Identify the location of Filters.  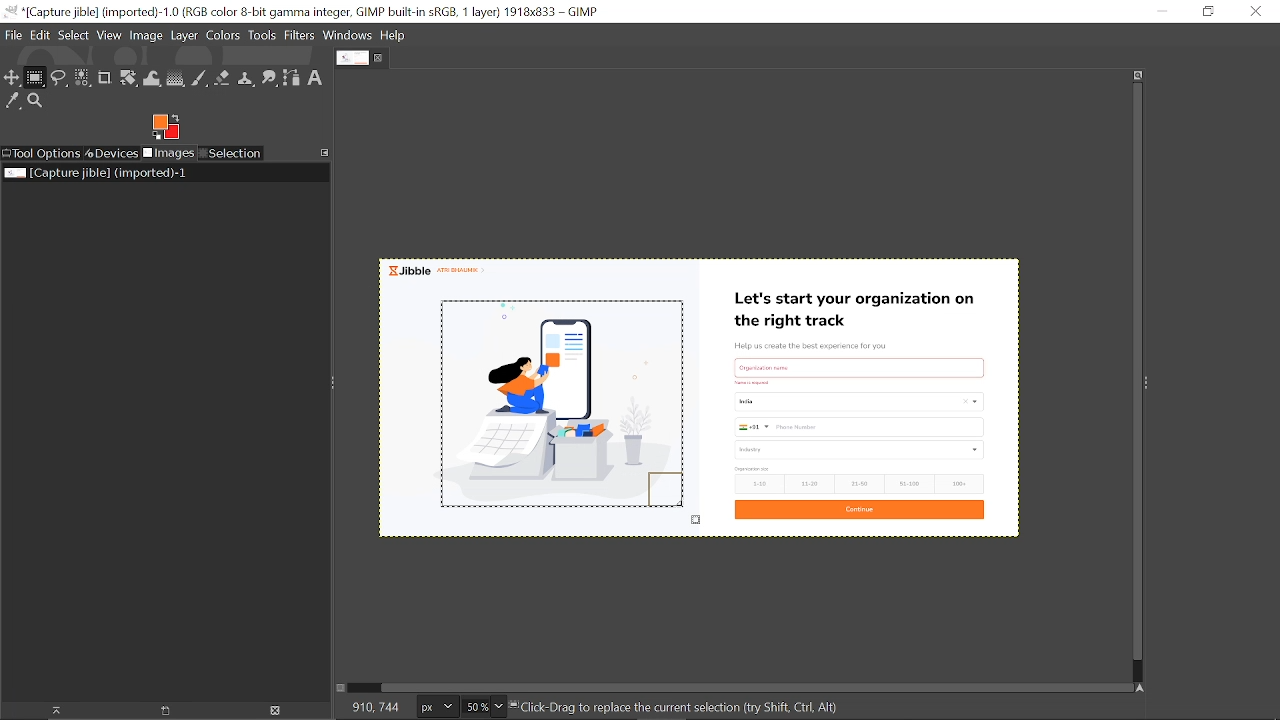
(300, 36).